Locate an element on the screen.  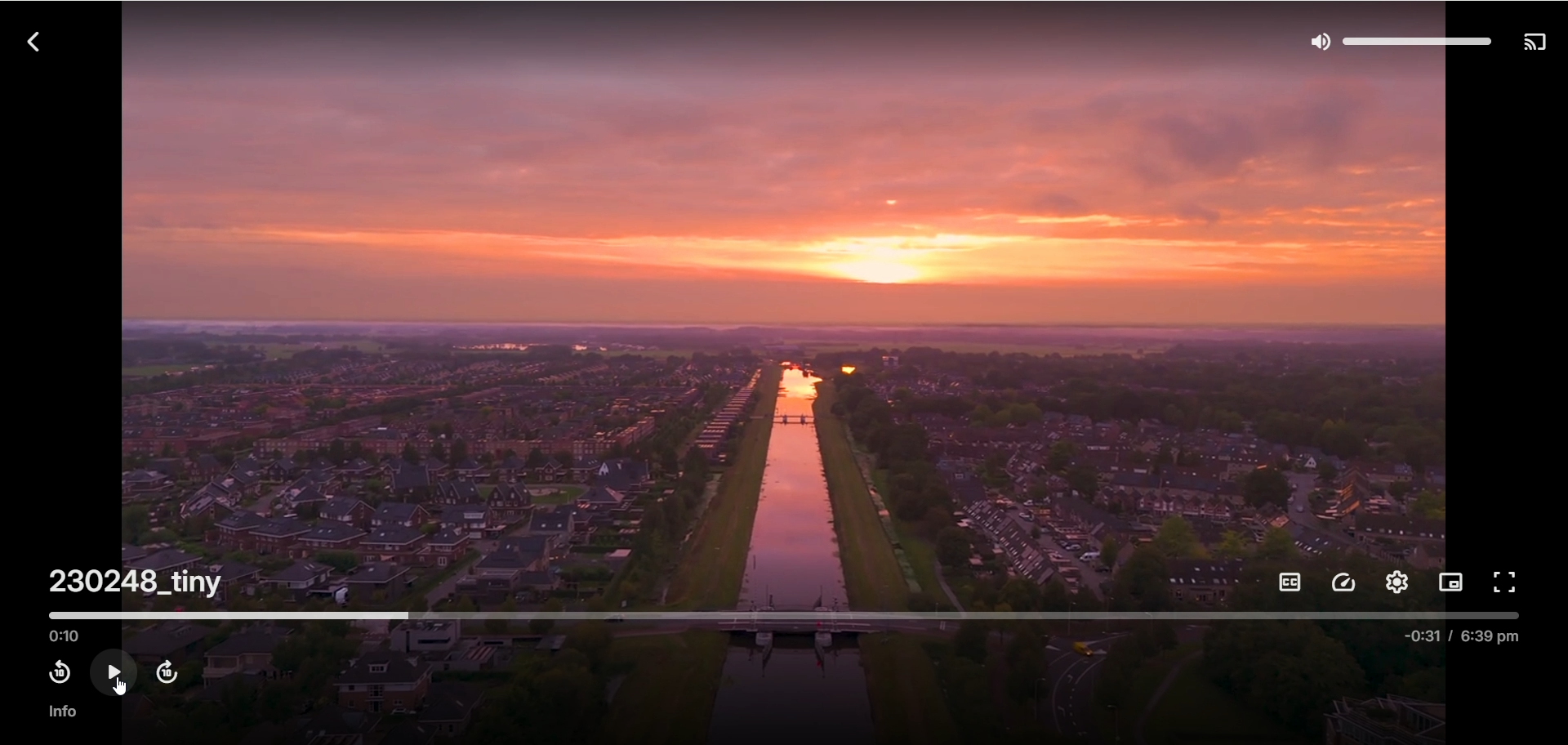
play is located at coordinates (115, 670).